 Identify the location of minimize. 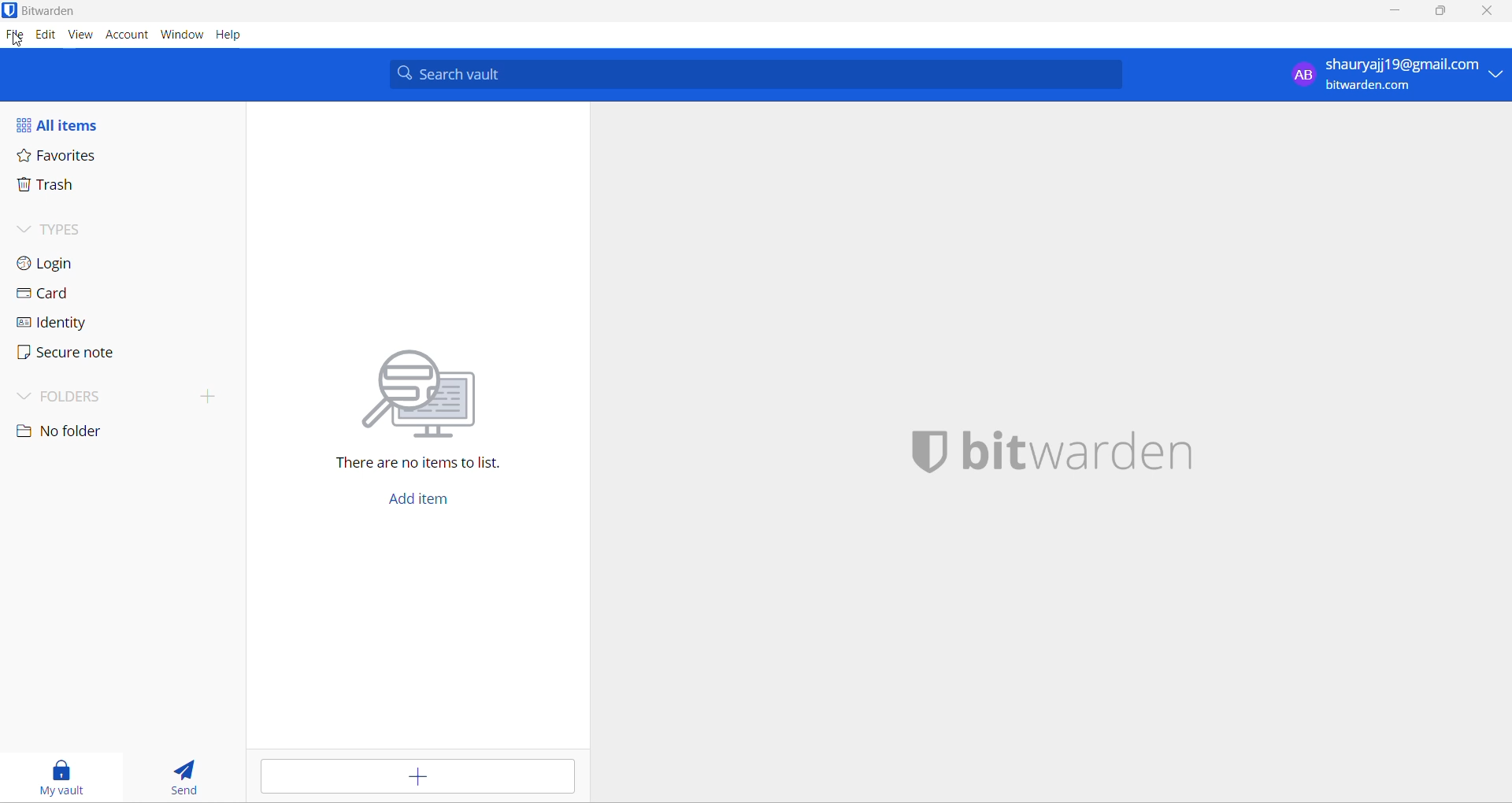
(1401, 13).